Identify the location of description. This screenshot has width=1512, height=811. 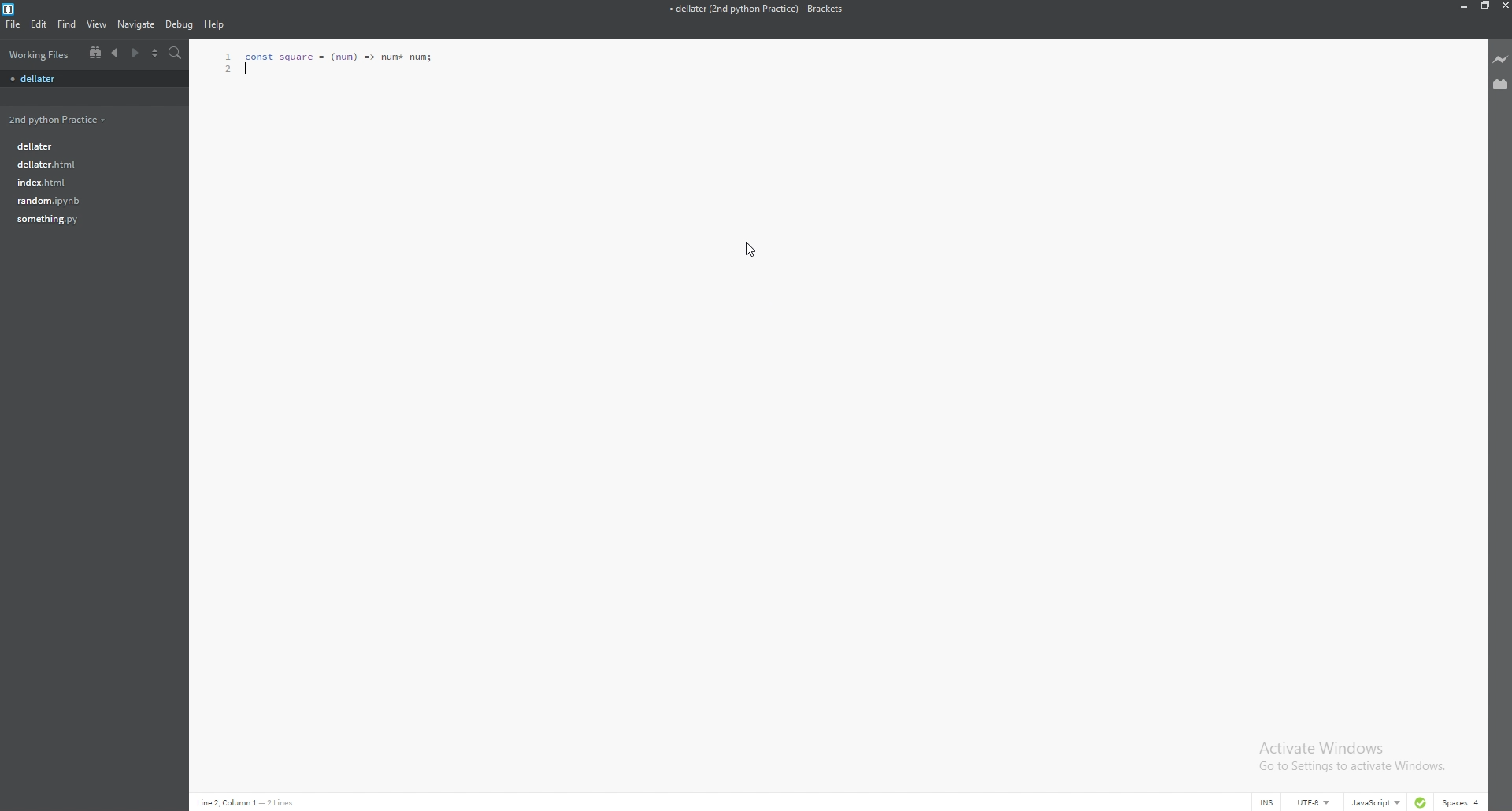
(259, 795).